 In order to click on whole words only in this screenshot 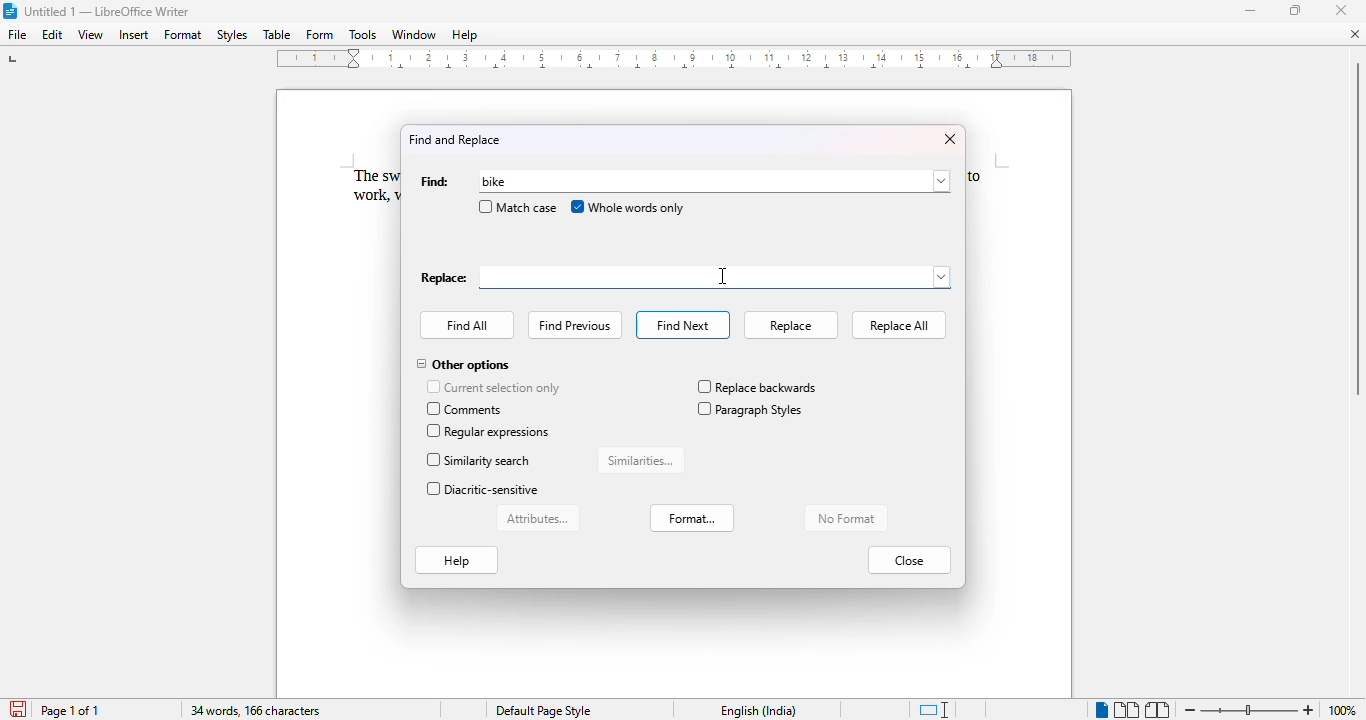, I will do `click(628, 207)`.